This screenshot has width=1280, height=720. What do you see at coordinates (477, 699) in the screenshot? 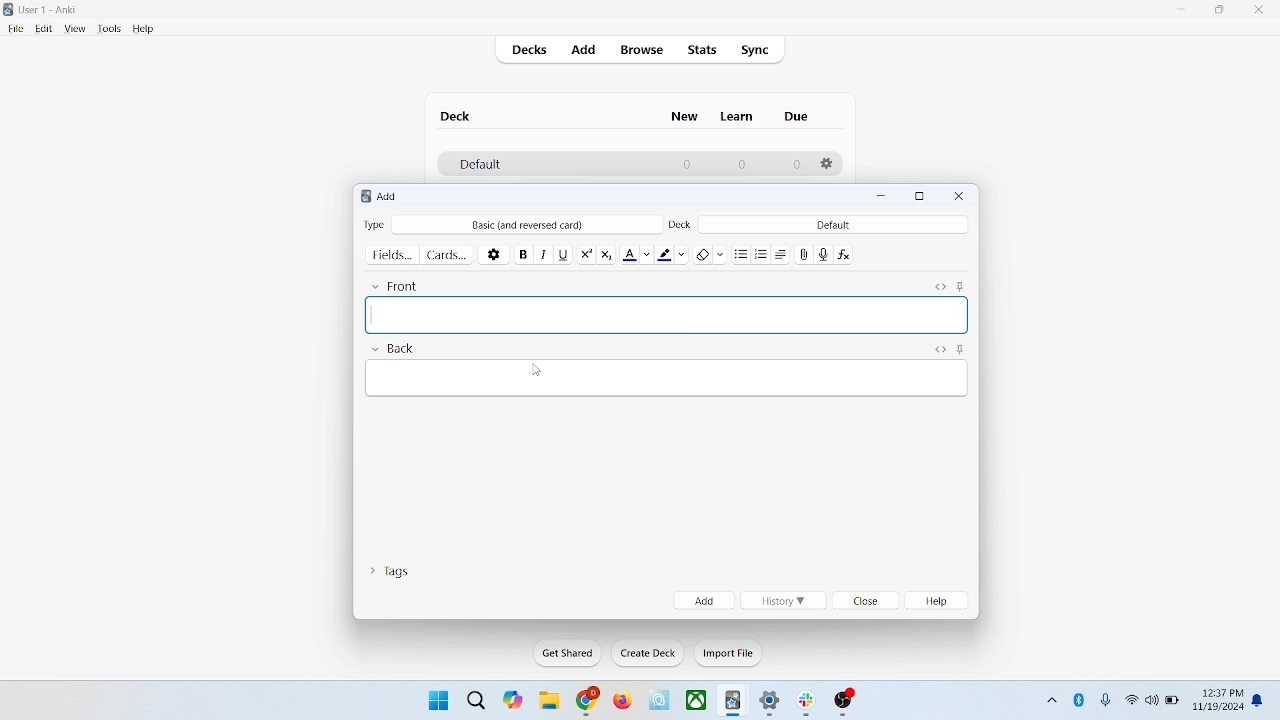
I see `search` at bounding box center [477, 699].